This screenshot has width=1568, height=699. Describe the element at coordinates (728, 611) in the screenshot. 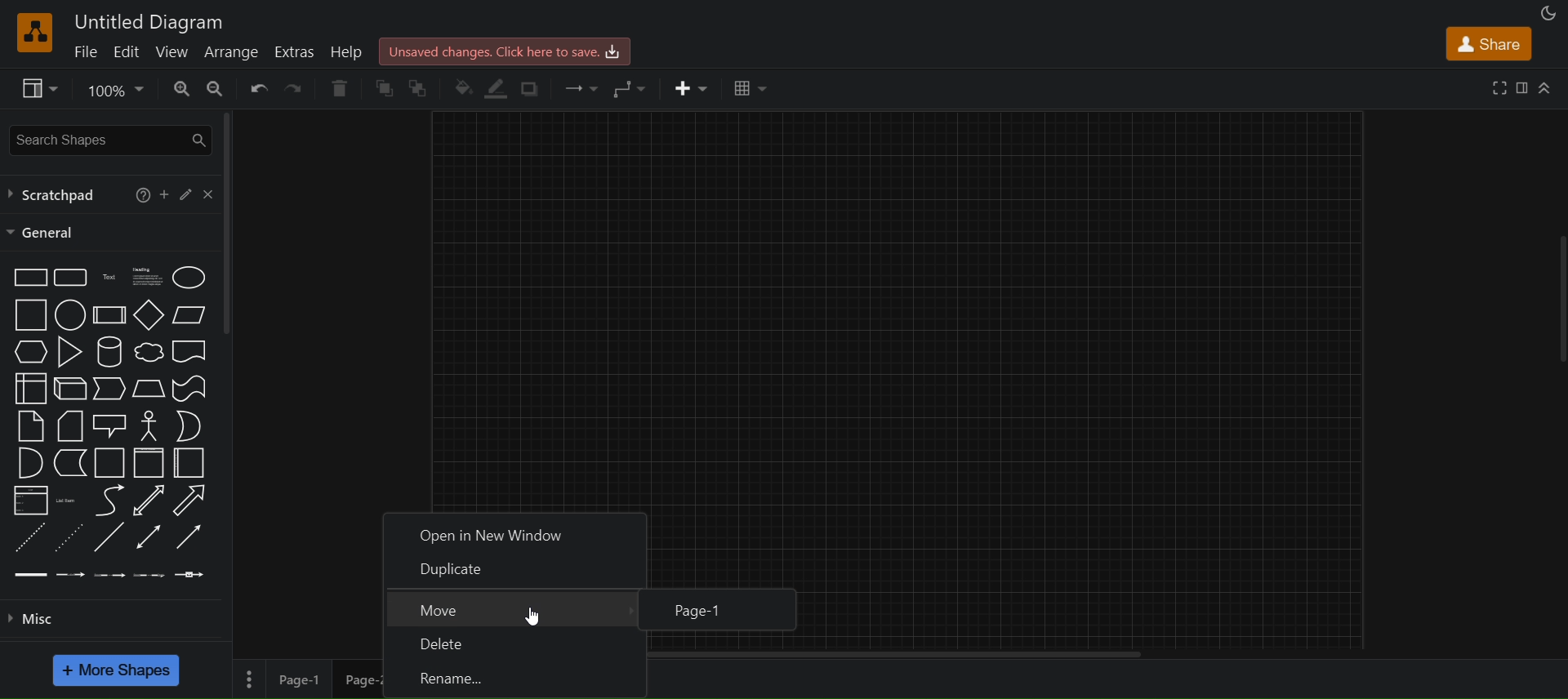

I see `page-1` at that location.